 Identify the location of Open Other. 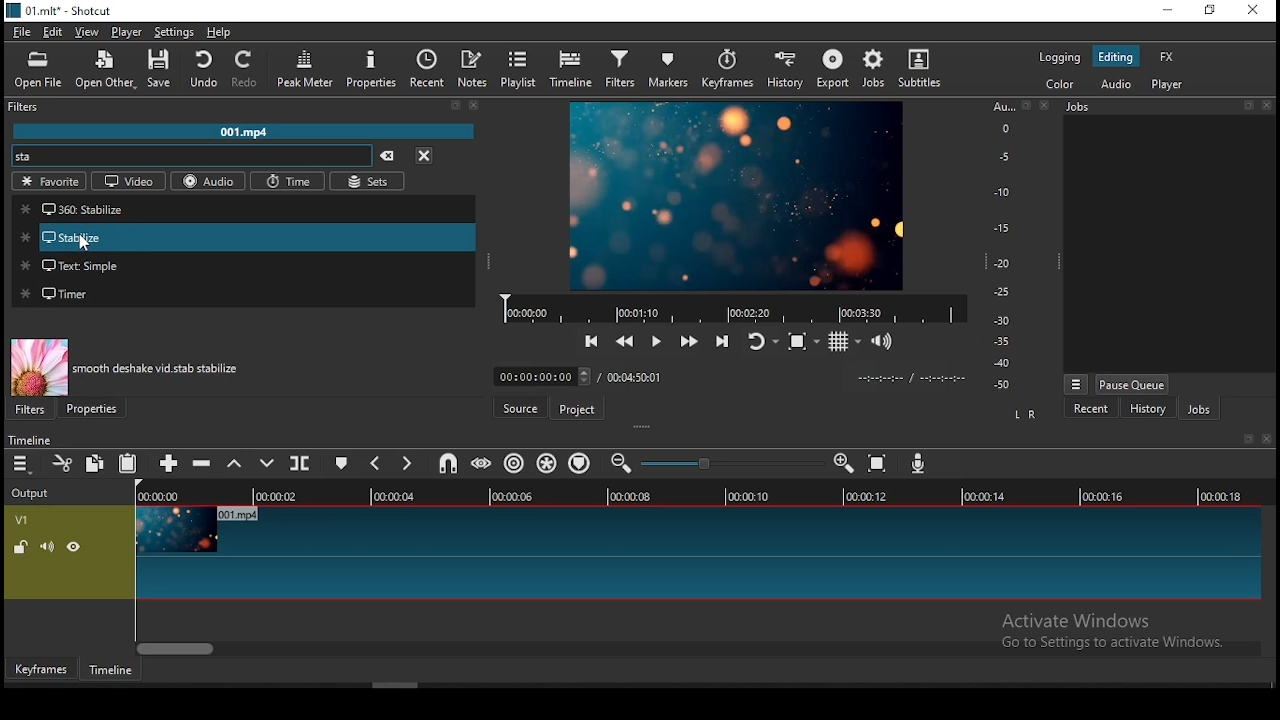
(103, 72).